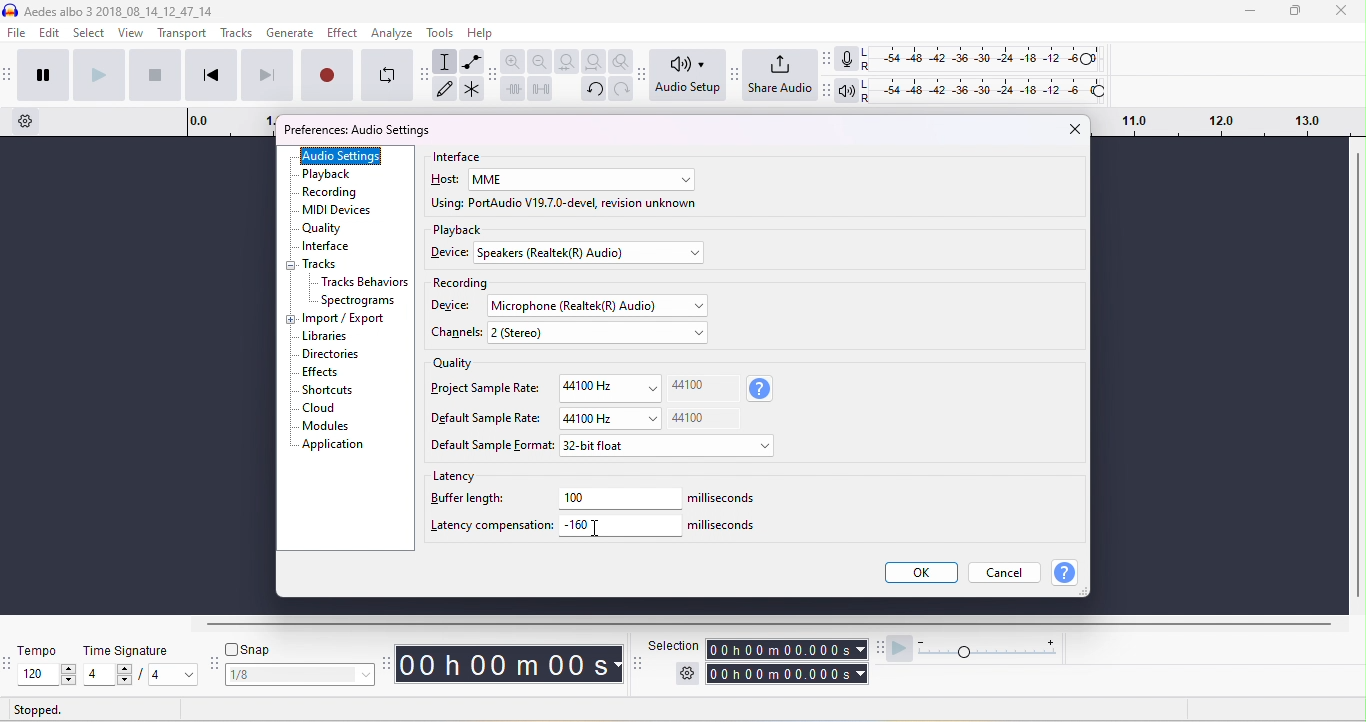  I want to click on select default sample format, so click(669, 449).